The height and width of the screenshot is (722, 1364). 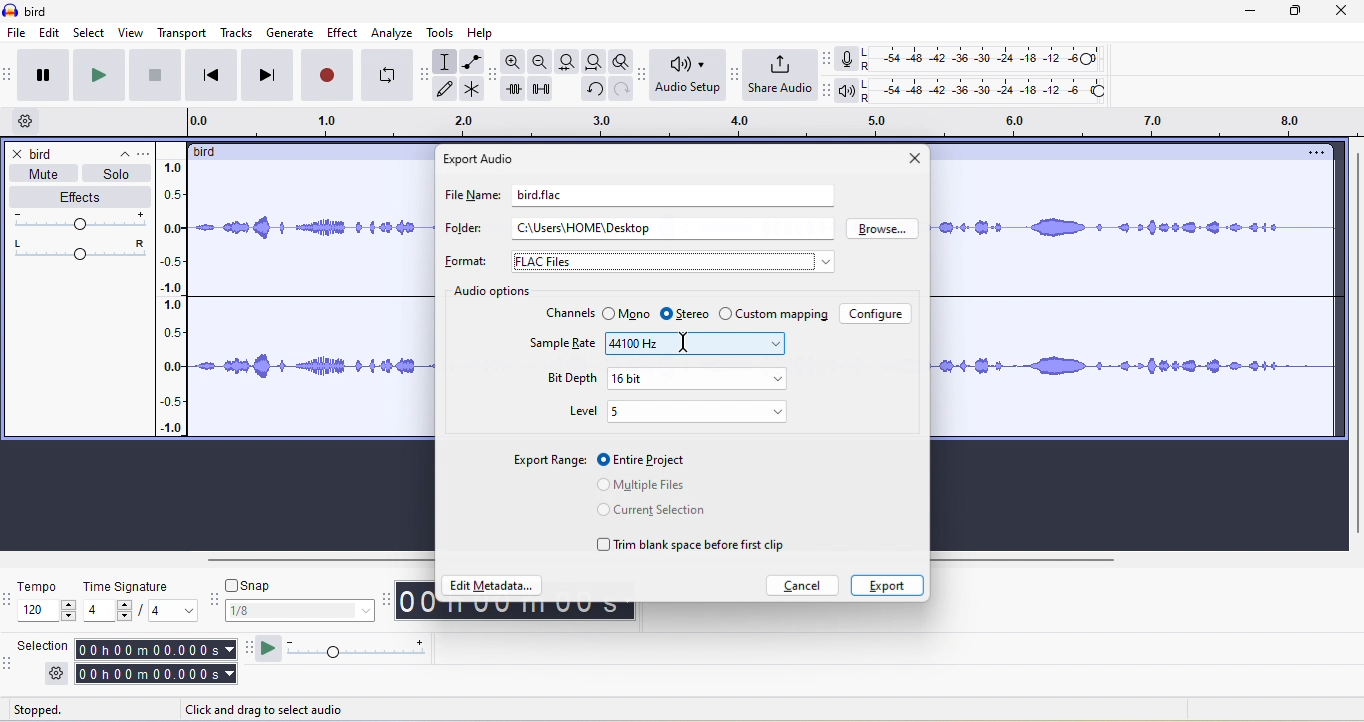 What do you see at coordinates (48, 76) in the screenshot?
I see `pause` at bounding box center [48, 76].